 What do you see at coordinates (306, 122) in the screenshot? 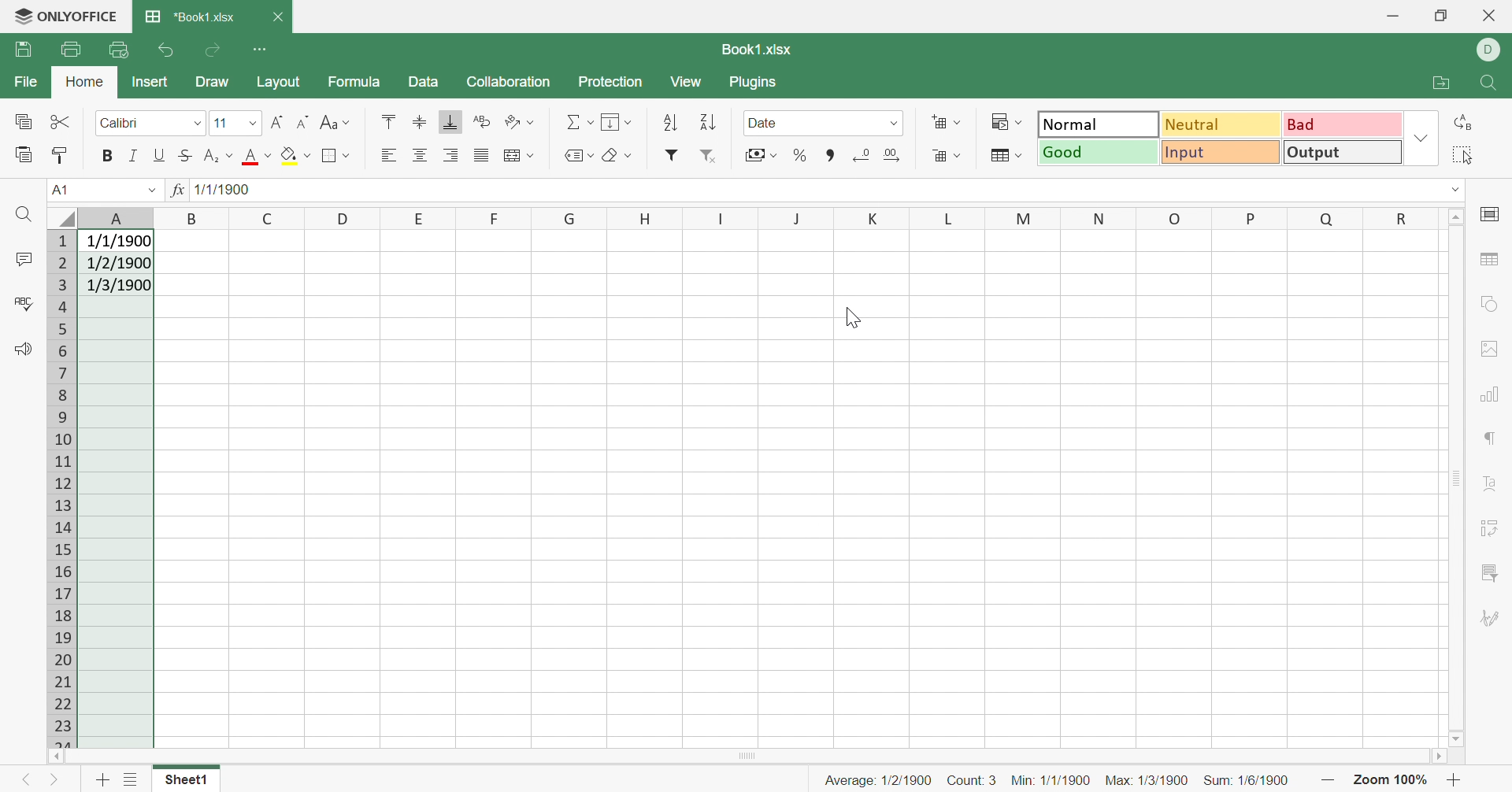
I see `Decrement font size` at bounding box center [306, 122].